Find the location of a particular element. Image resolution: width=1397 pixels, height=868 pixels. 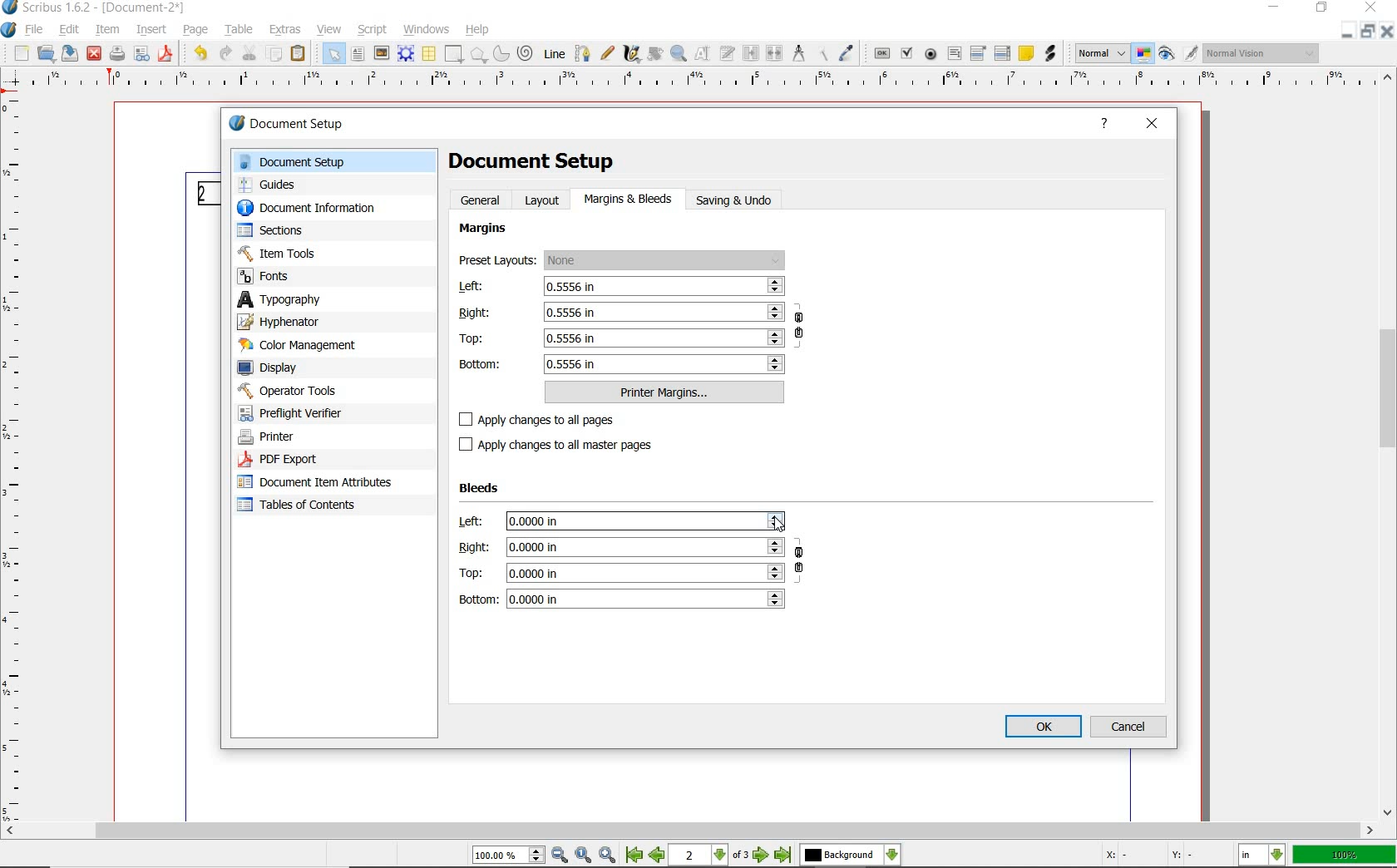

color management is located at coordinates (303, 347).